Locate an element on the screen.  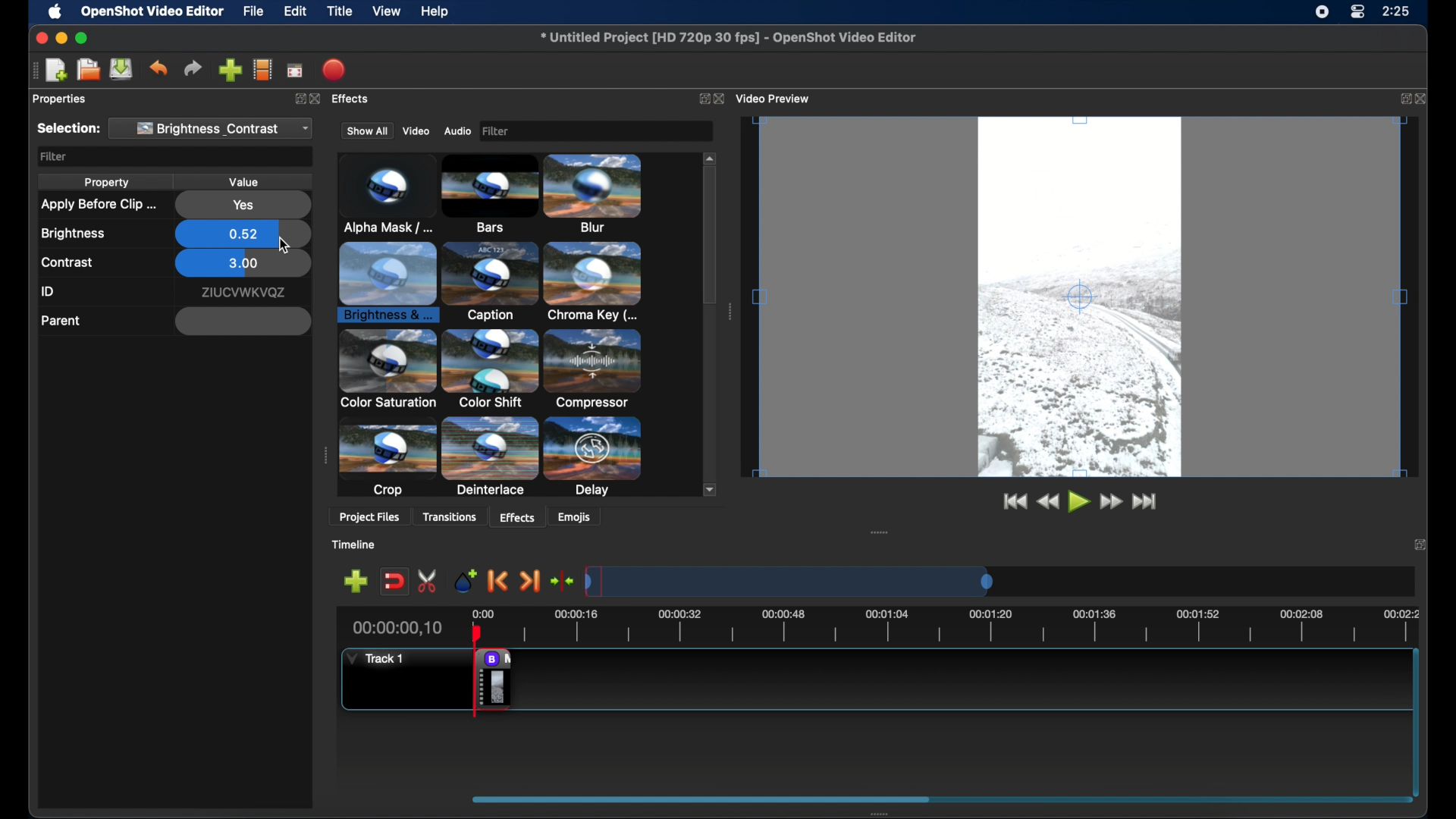
0.52 is located at coordinates (243, 232).